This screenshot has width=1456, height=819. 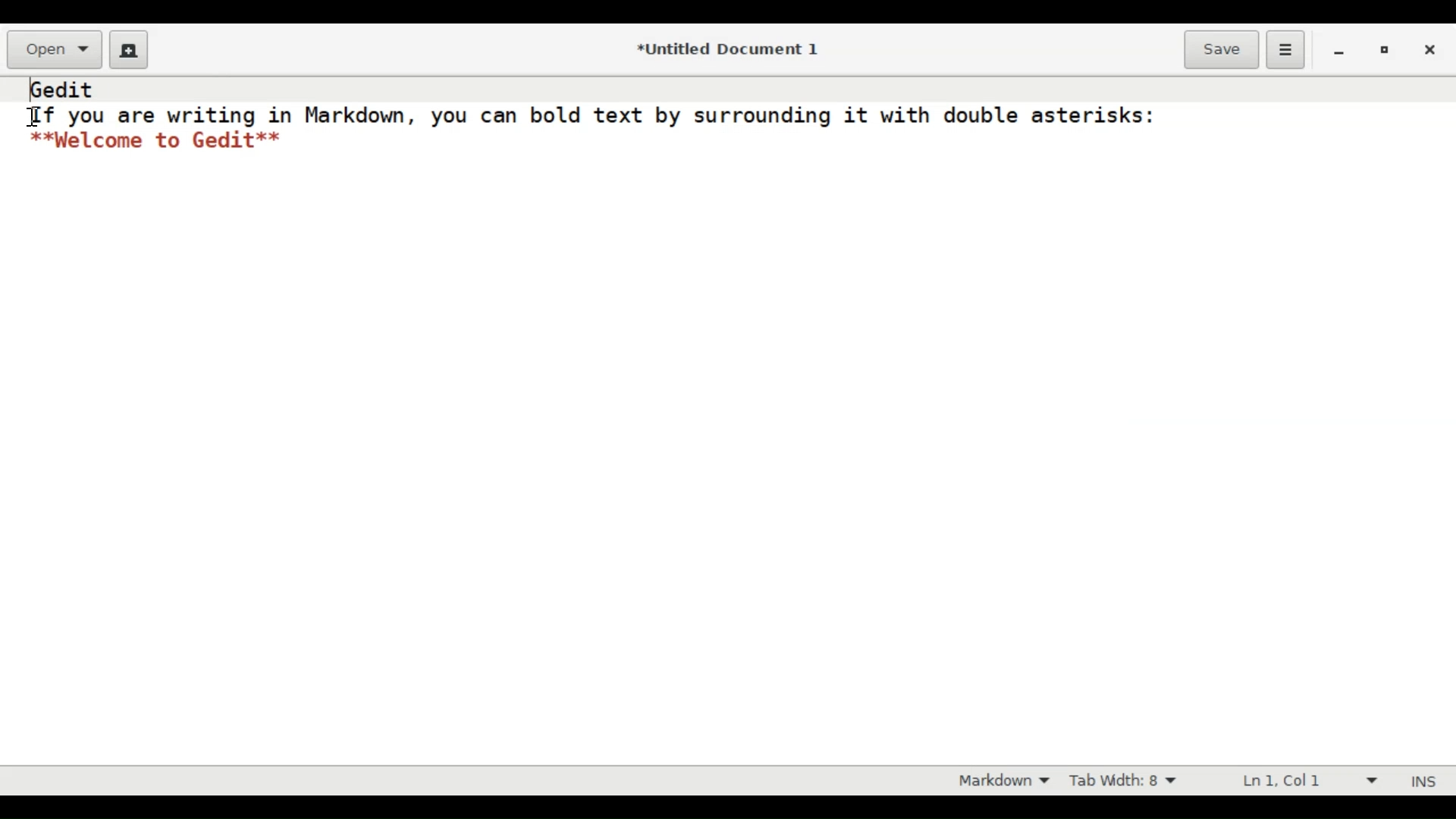 I want to click on **Welcome to Gedit**, so click(x=158, y=141).